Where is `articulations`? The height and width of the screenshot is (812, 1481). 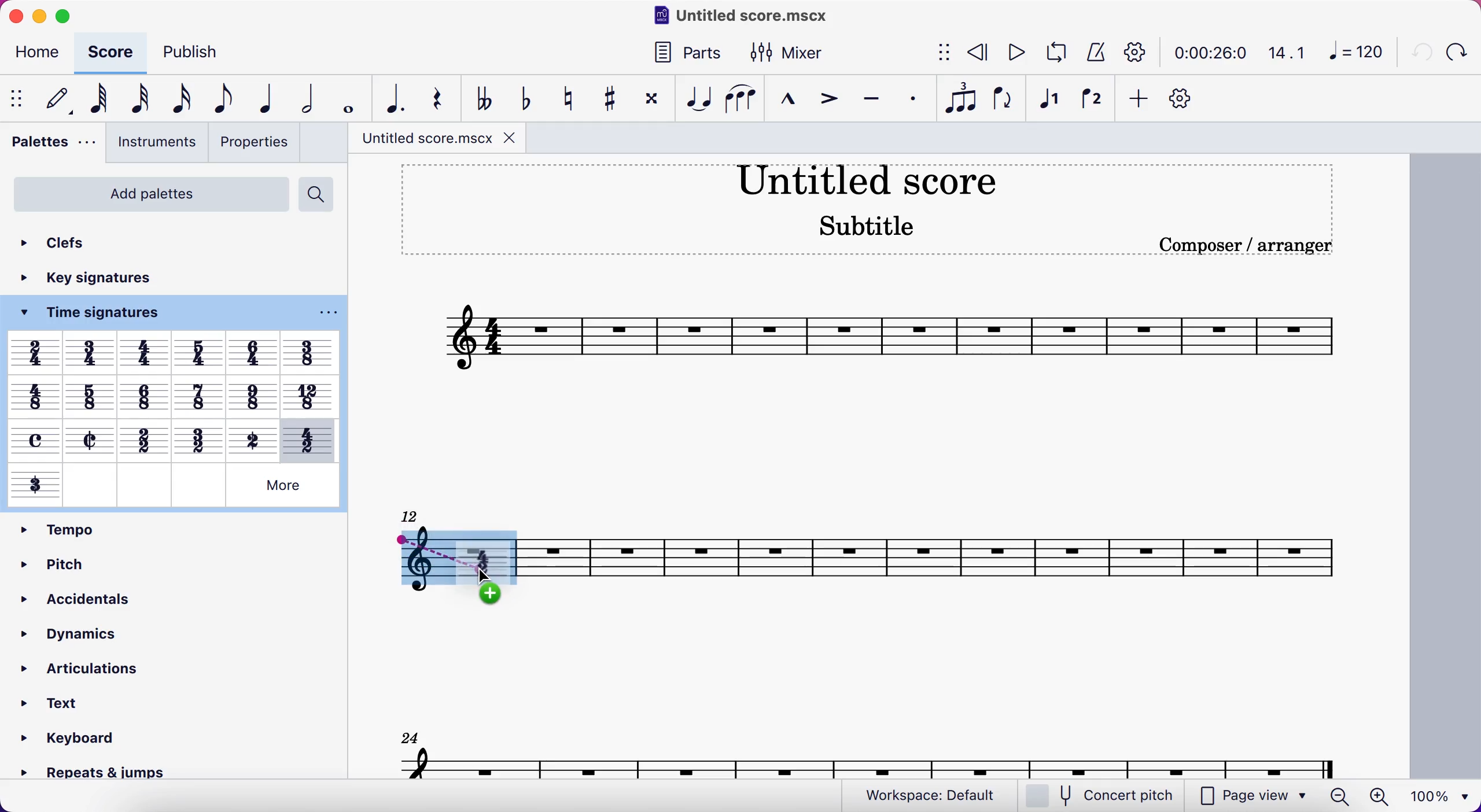 articulations is located at coordinates (98, 668).